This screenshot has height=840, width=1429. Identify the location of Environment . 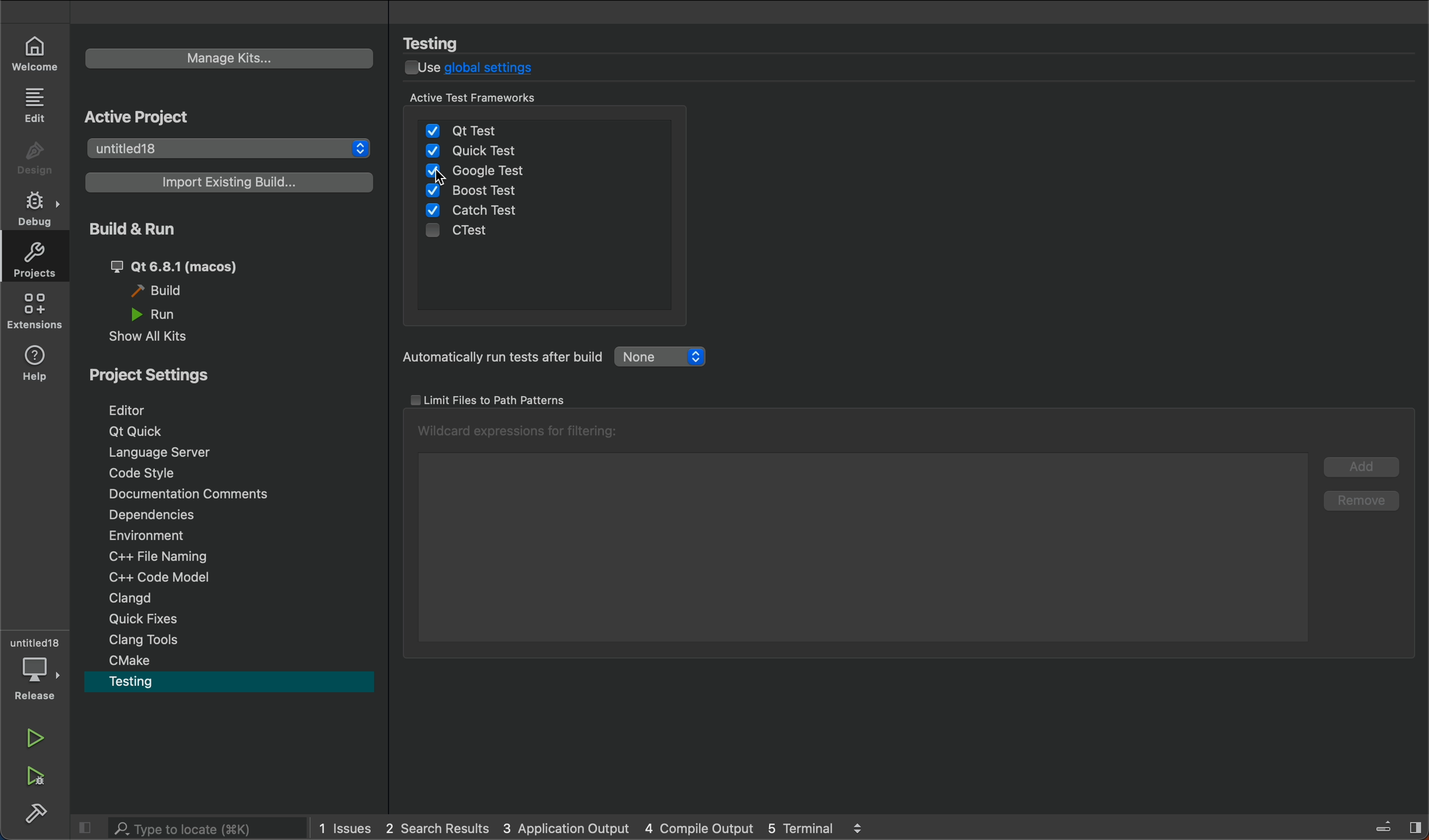
(233, 538).